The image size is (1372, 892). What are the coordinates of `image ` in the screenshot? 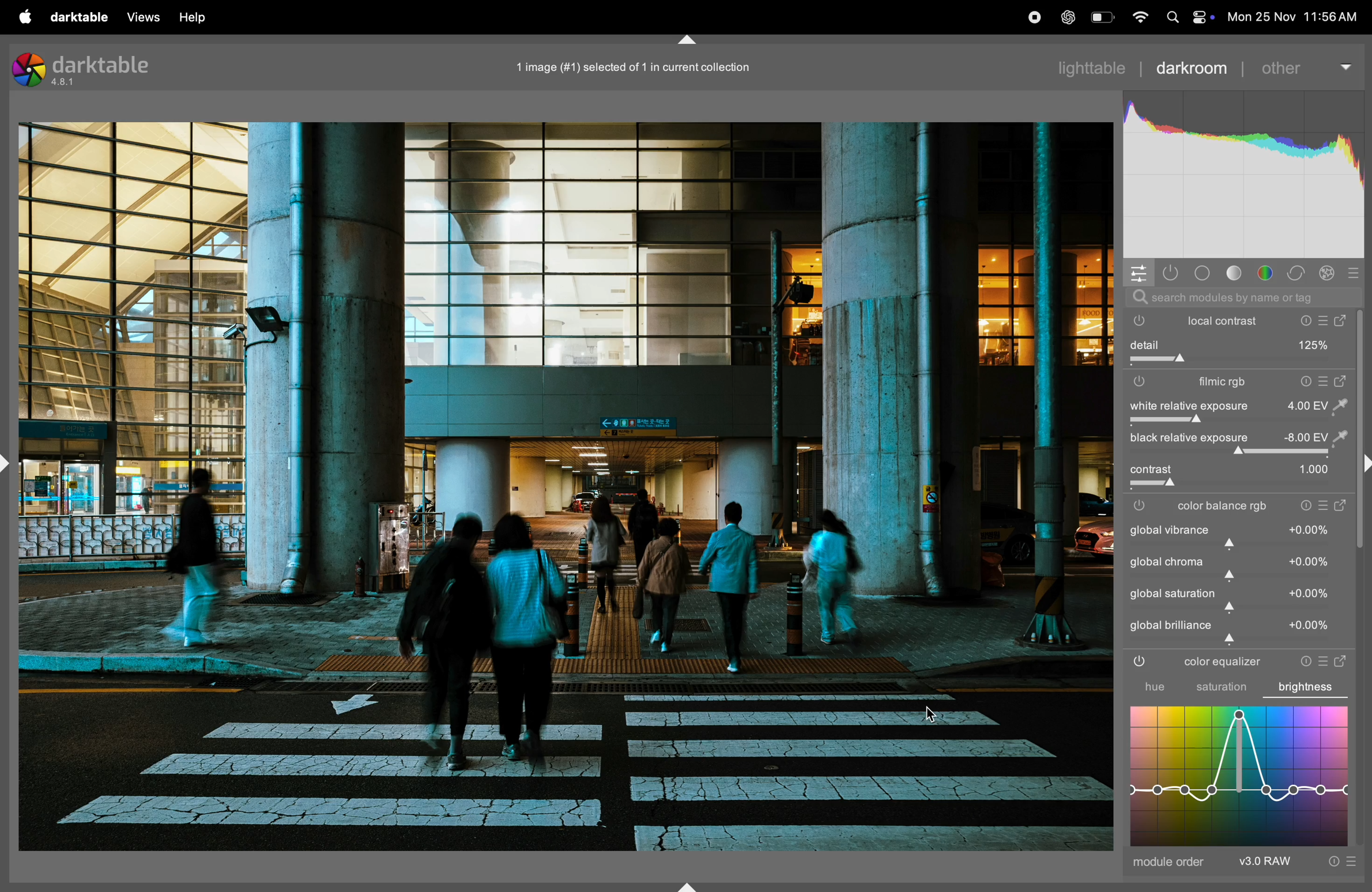 It's located at (566, 487).